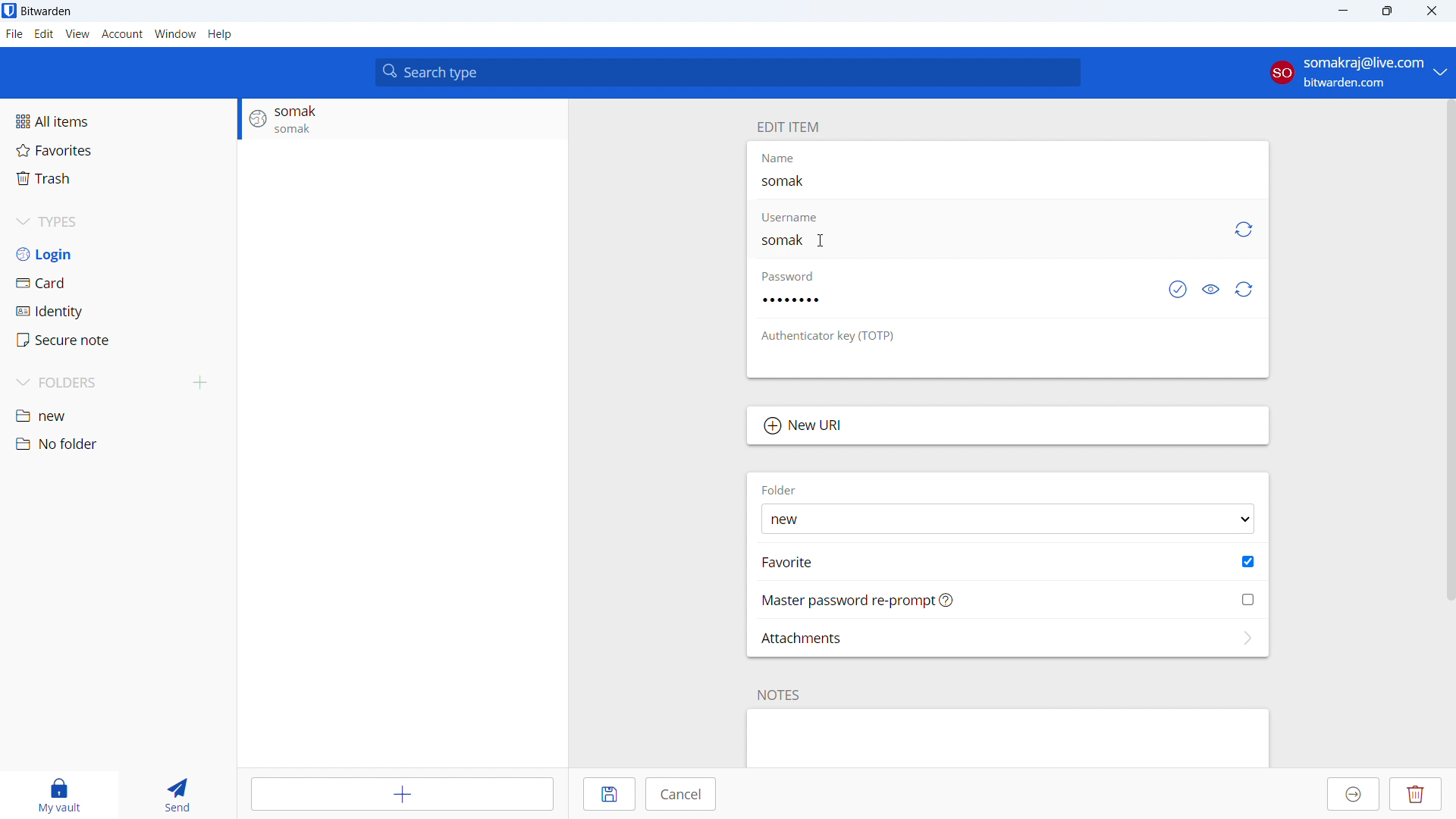 Image resolution: width=1456 pixels, height=819 pixels. I want to click on add folders, so click(201, 383).